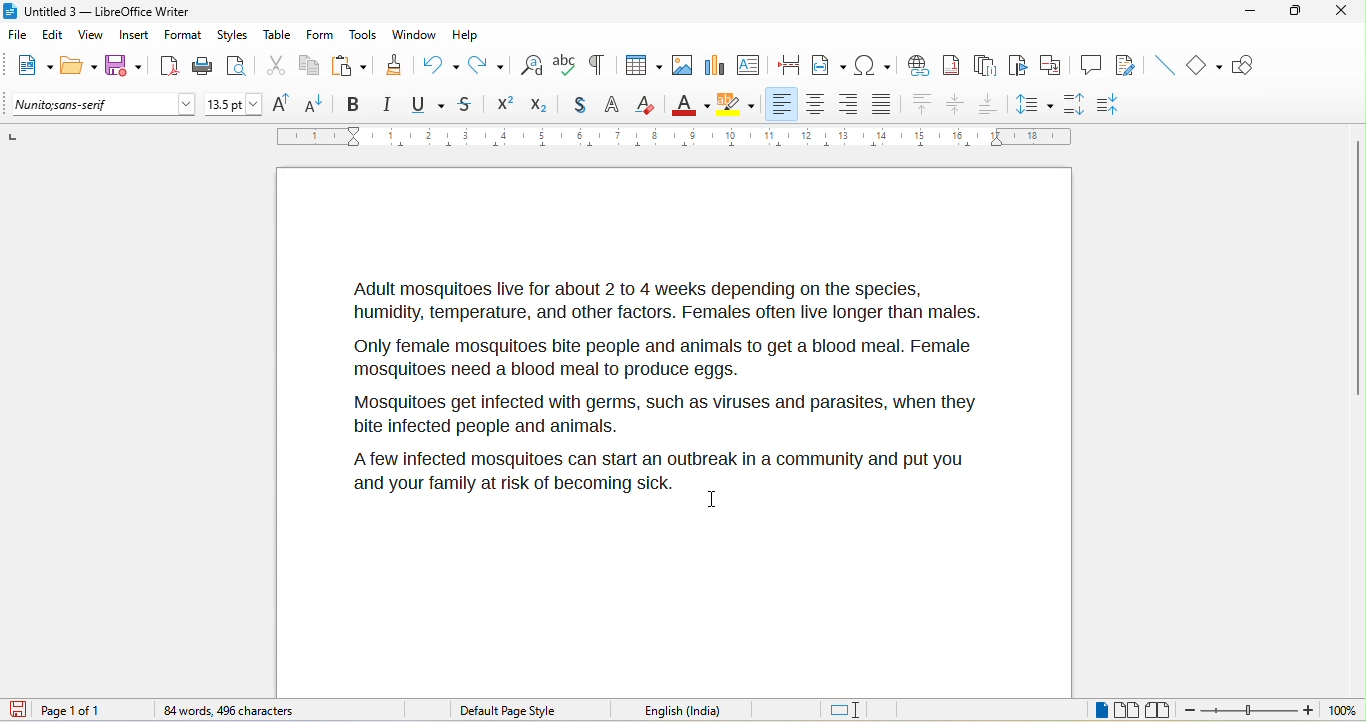  What do you see at coordinates (1112, 105) in the screenshot?
I see `decrease paragraph spacing` at bounding box center [1112, 105].